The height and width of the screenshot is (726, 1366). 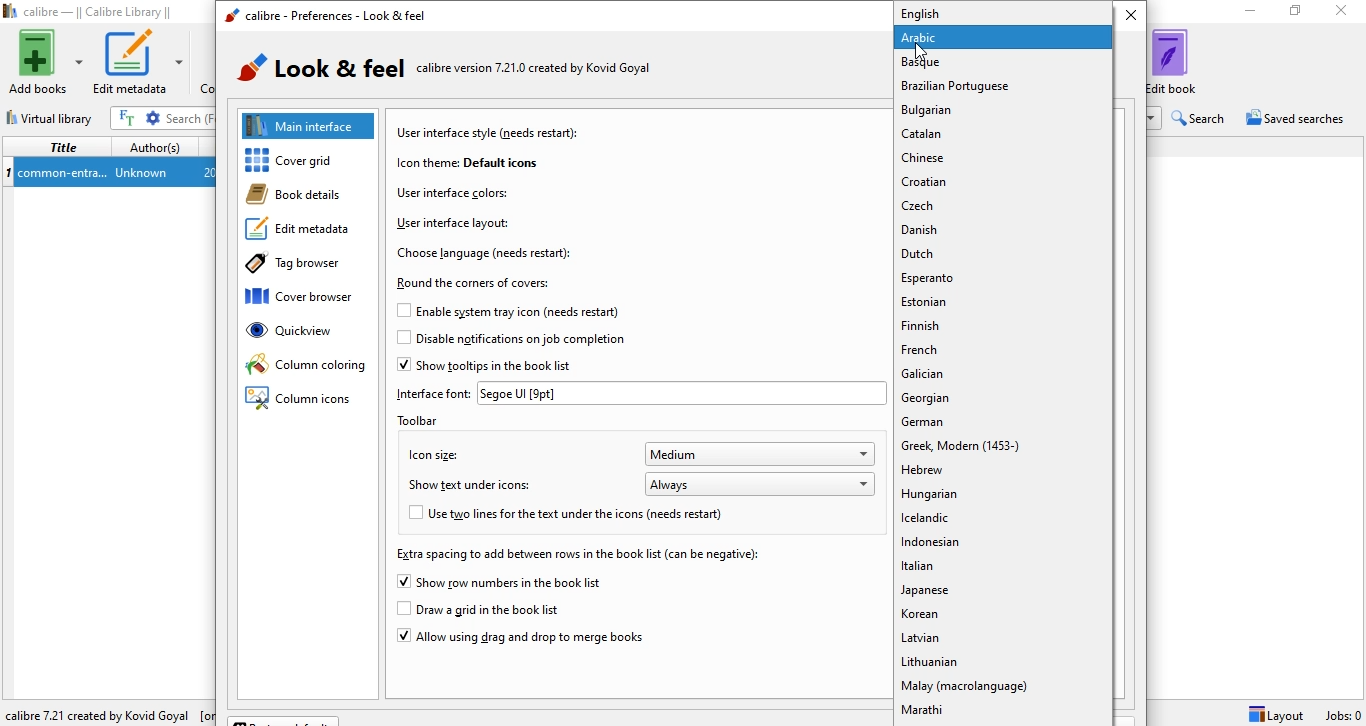 What do you see at coordinates (495, 610) in the screenshot?
I see `draw a grid in the book list` at bounding box center [495, 610].